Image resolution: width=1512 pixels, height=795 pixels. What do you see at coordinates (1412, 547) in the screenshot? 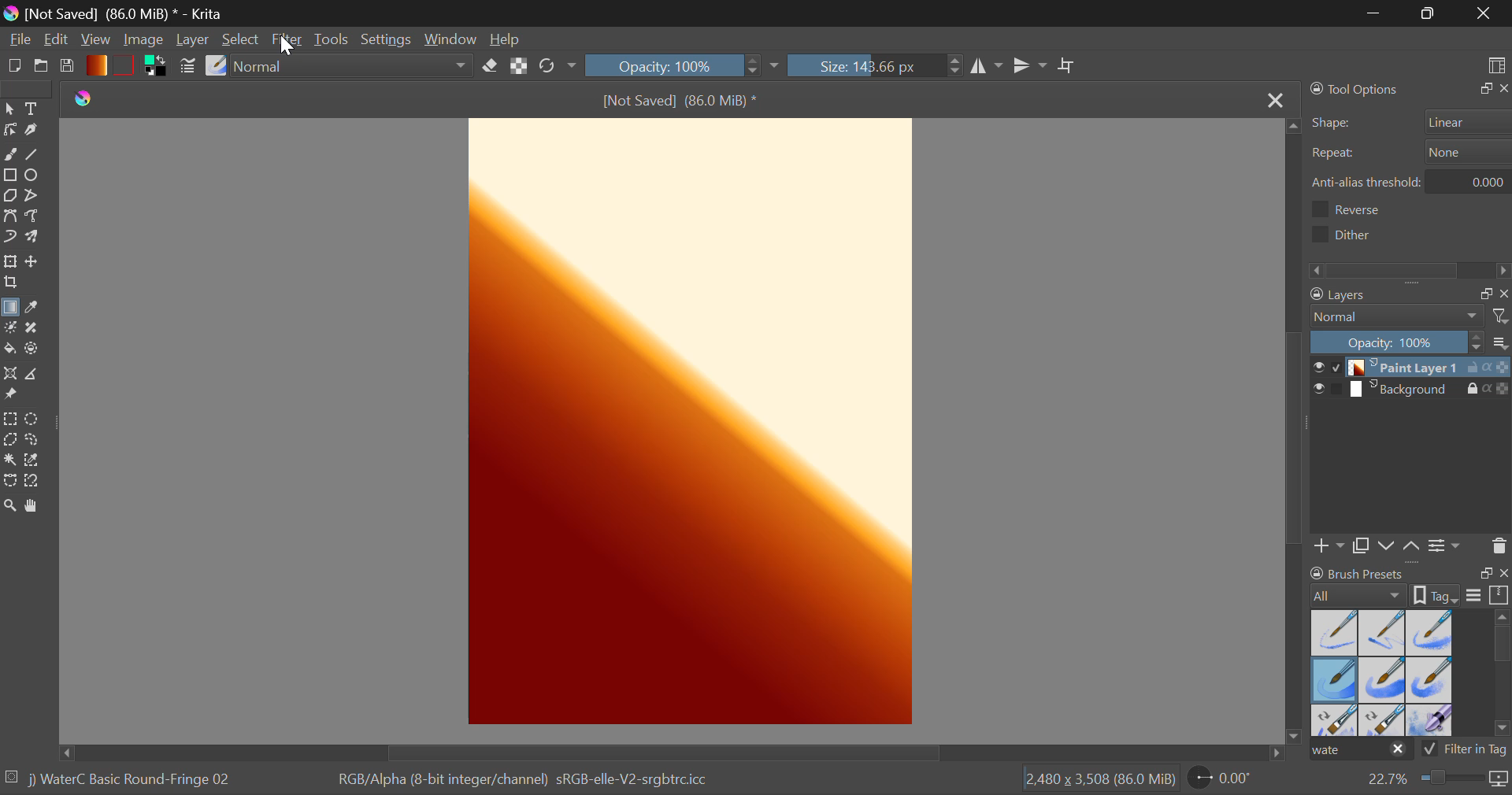
I see `move up` at bounding box center [1412, 547].